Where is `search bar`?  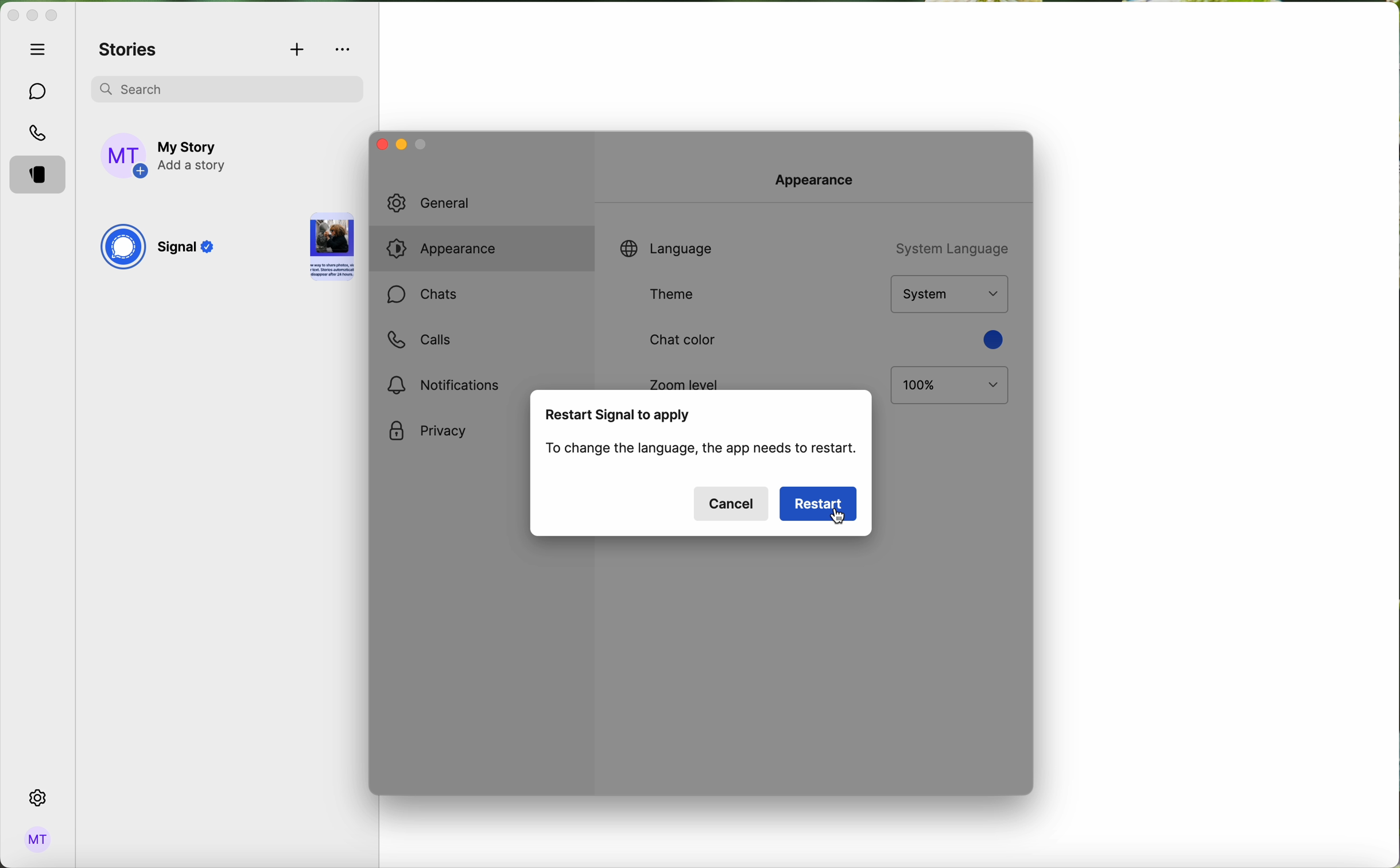
search bar is located at coordinates (227, 87).